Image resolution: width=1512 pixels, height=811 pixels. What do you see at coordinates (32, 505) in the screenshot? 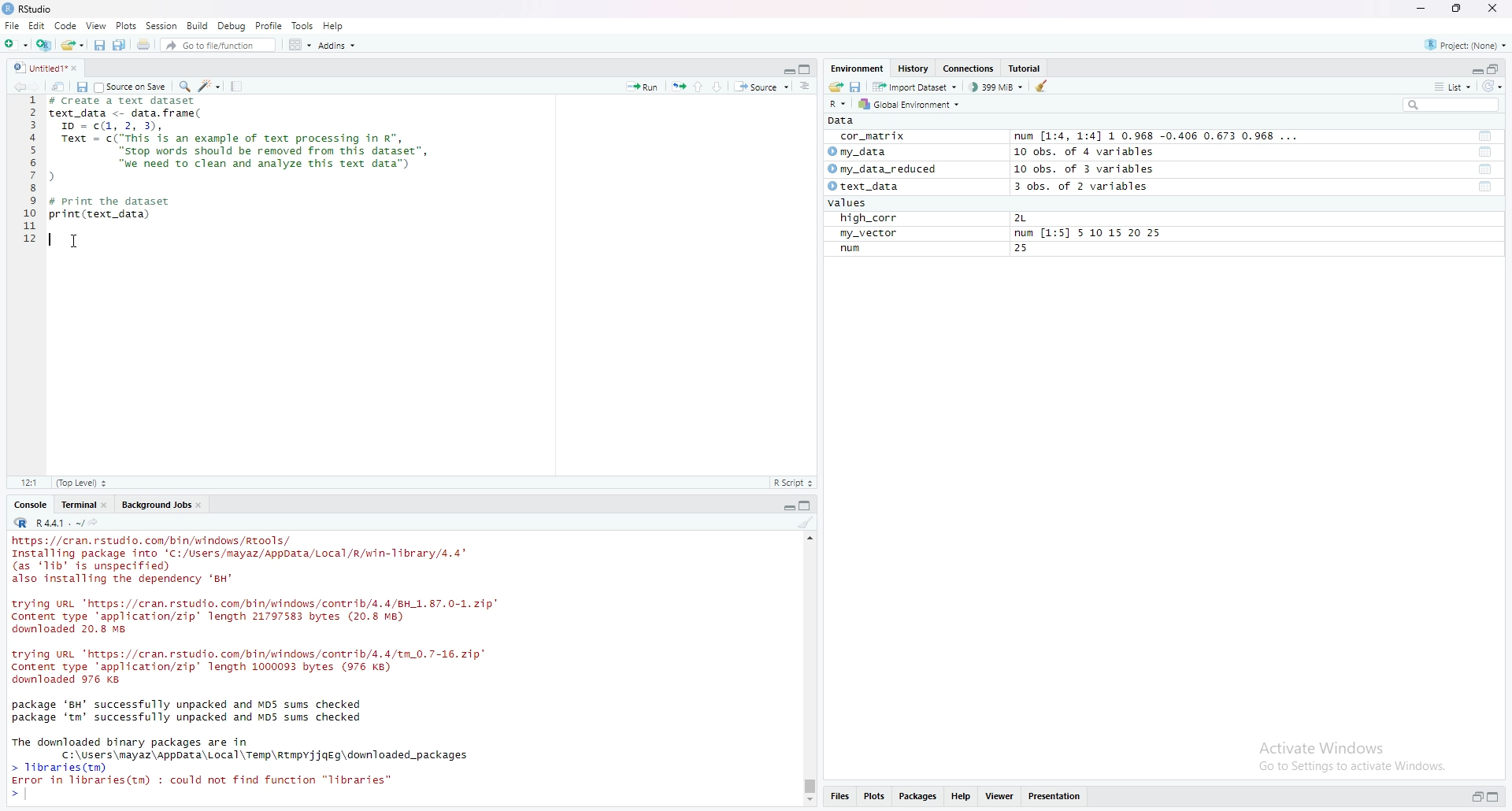
I see `console` at bounding box center [32, 505].